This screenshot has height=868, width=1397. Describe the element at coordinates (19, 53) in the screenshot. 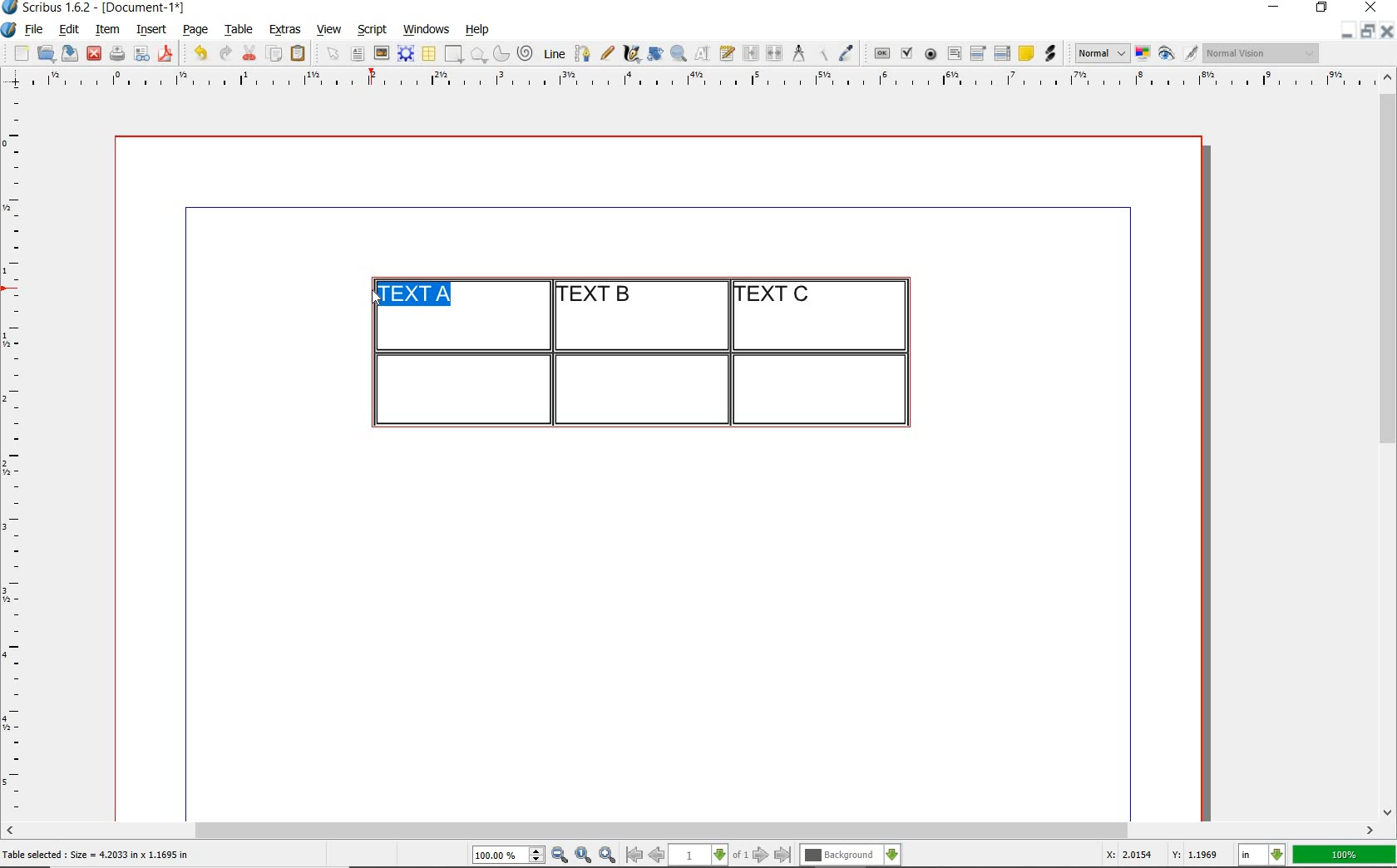

I see `new` at that location.